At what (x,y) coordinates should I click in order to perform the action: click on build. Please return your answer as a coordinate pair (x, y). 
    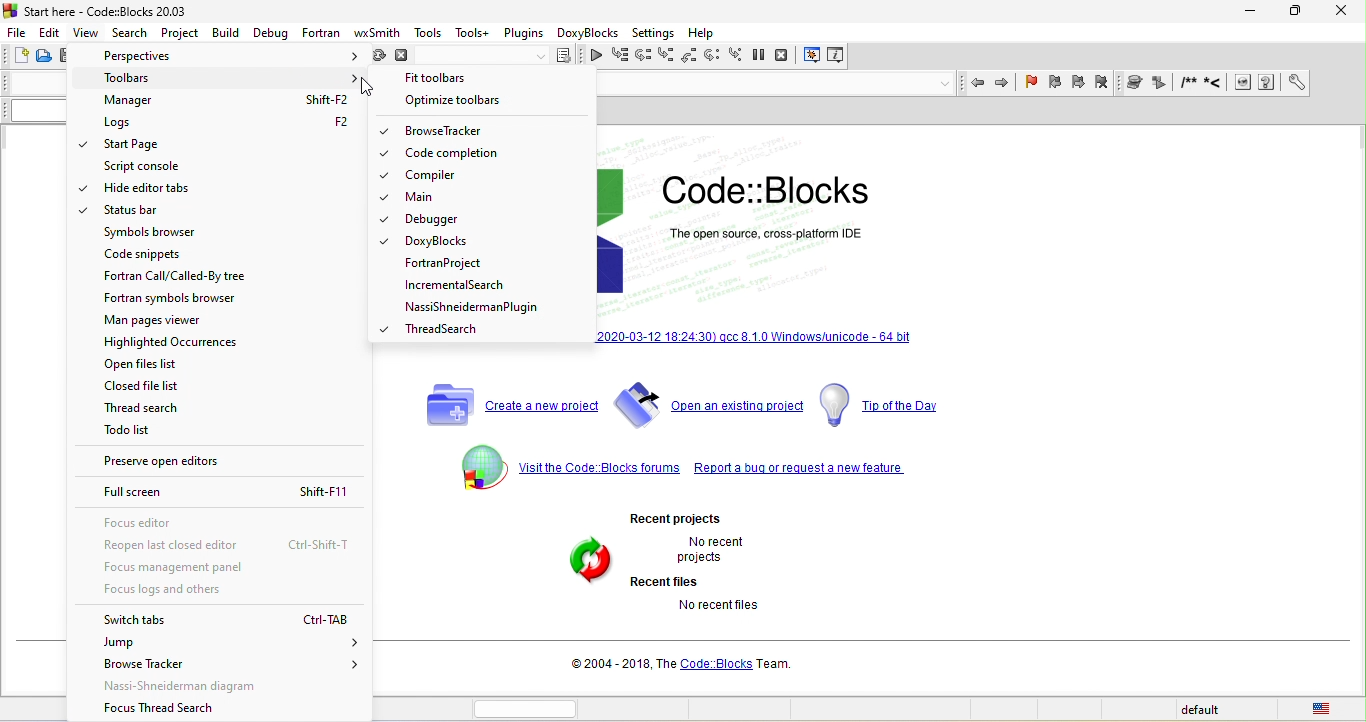
    Looking at the image, I should click on (226, 31).